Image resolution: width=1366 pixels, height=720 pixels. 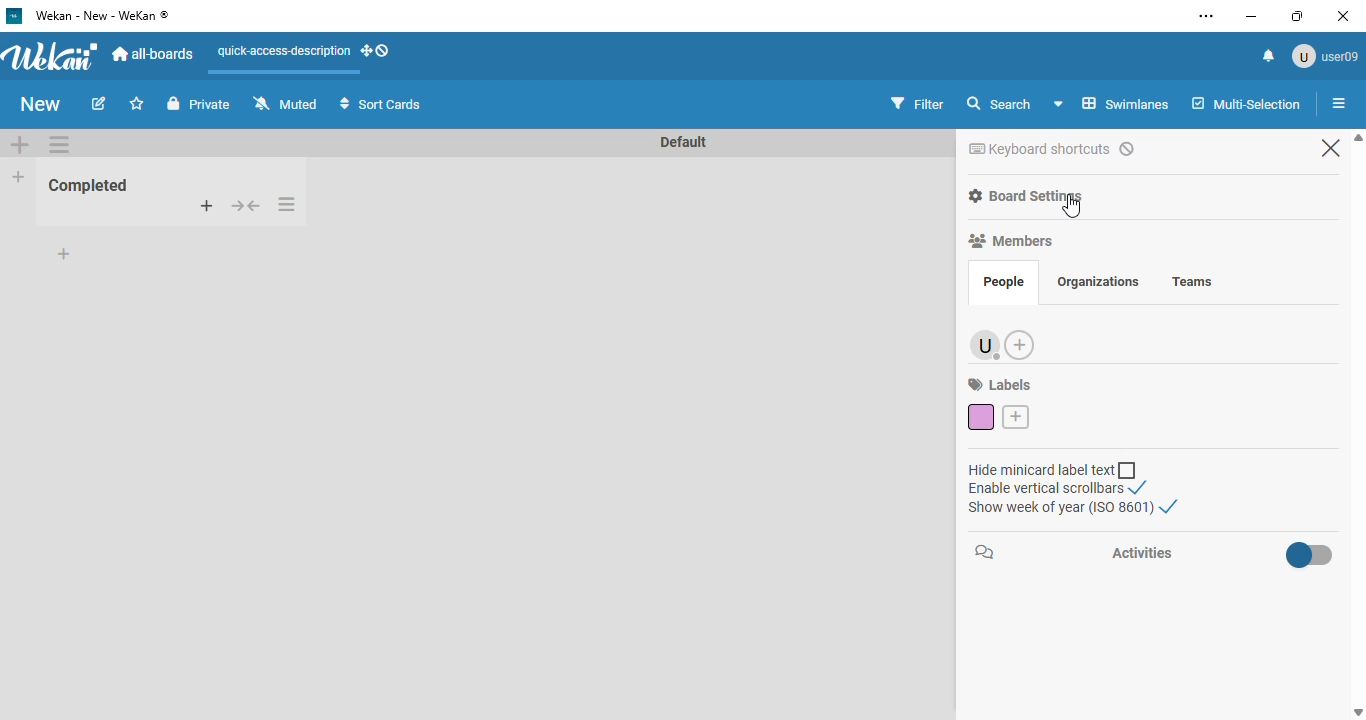 What do you see at coordinates (207, 206) in the screenshot?
I see `add card to top of list` at bounding box center [207, 206].